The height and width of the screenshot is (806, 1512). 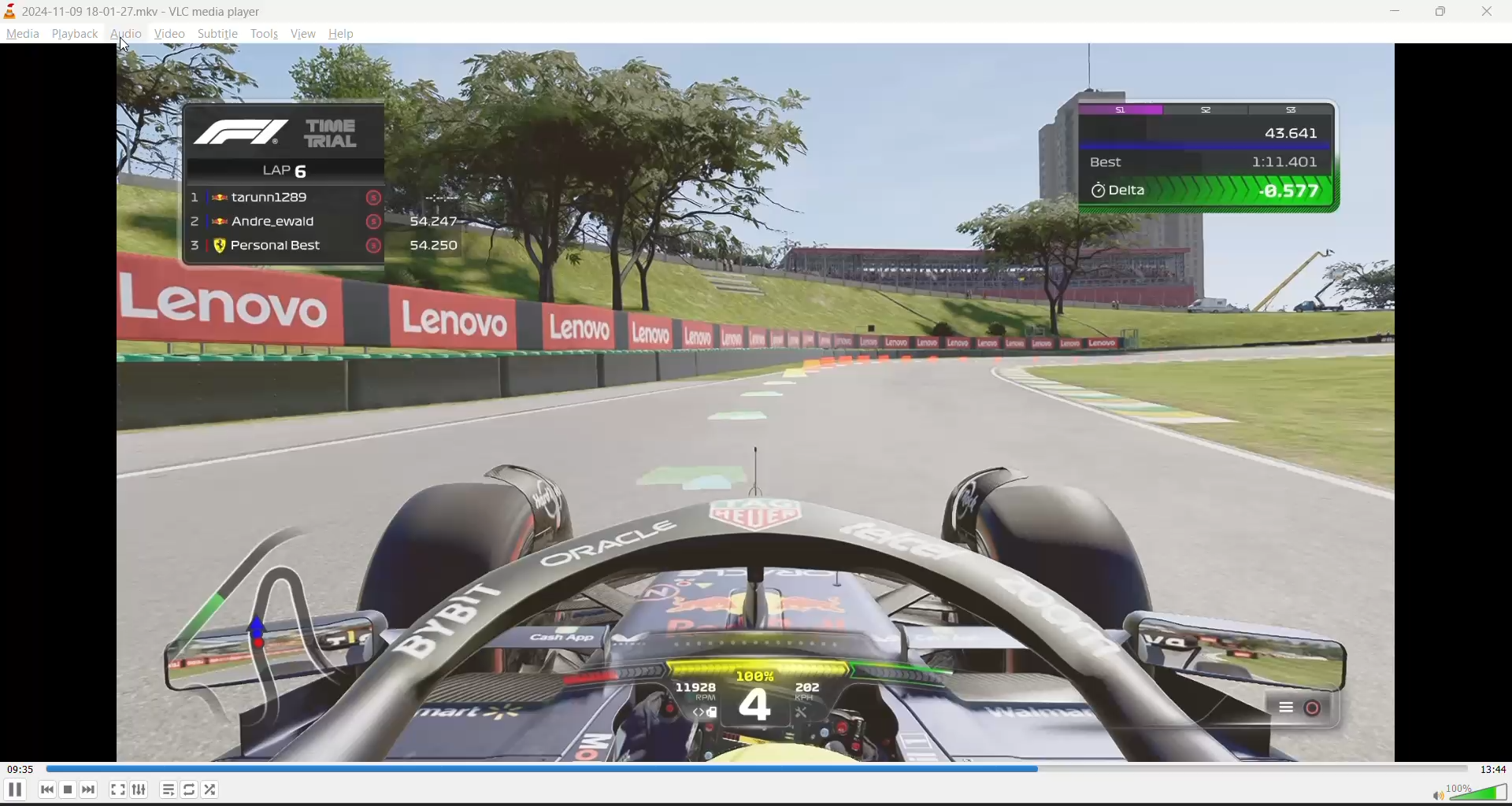 What do you see at coordinates (1445, 13) in the screenshot?
I see `maximize` at bounding box center [1445, 13].